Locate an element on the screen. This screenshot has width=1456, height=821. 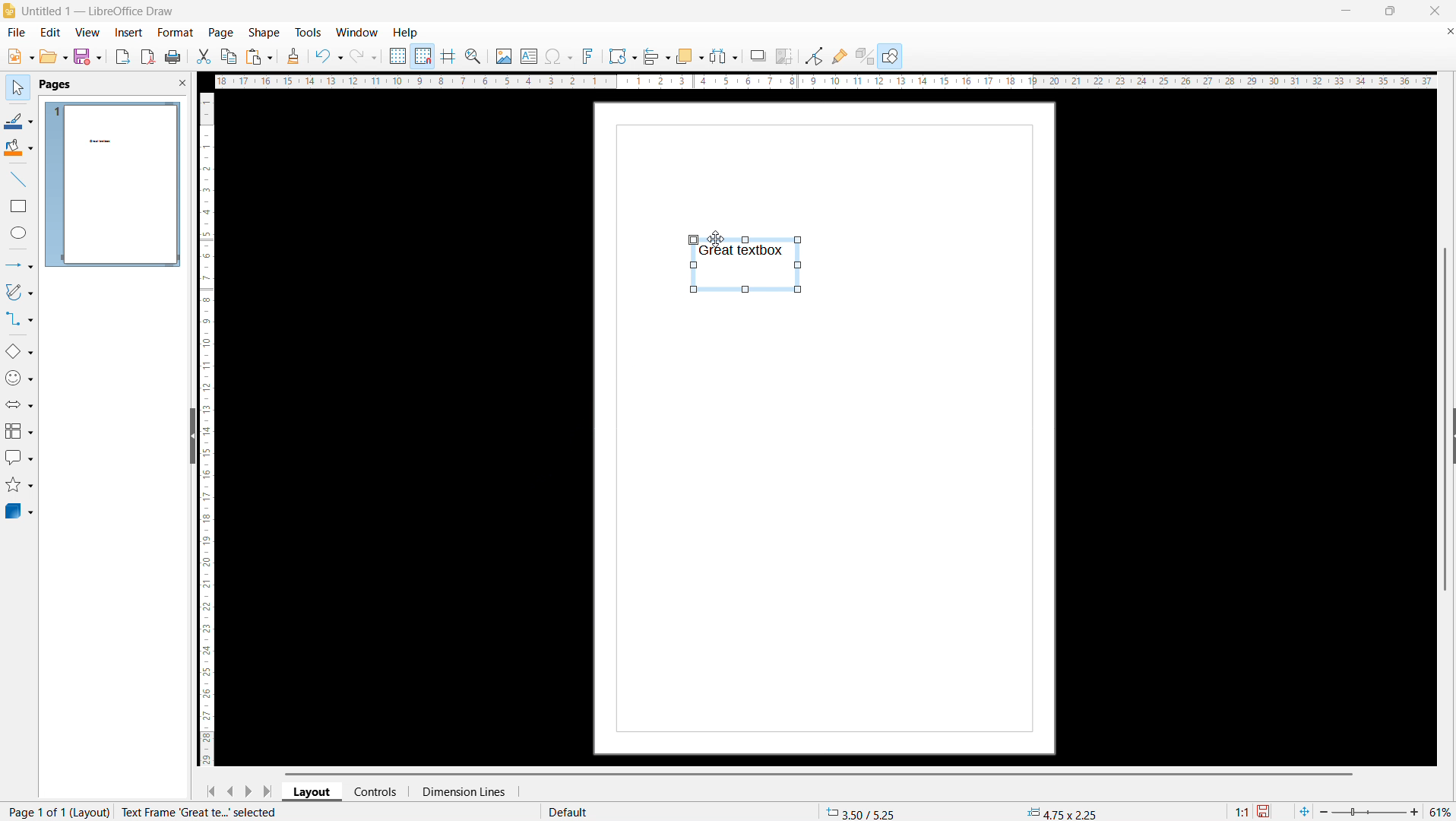
view is located at coordinates (87, 32).